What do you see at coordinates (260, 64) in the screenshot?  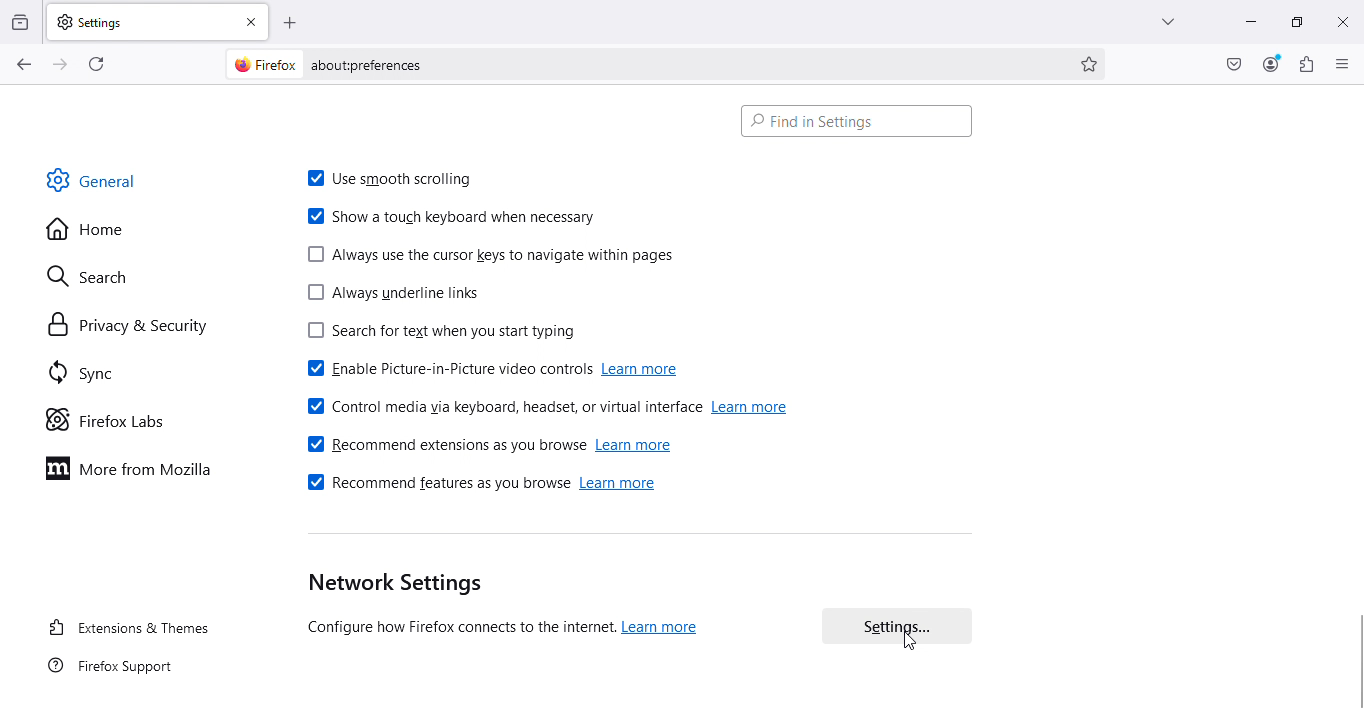 I see `firefox logo` at bounding box center [260, 64].